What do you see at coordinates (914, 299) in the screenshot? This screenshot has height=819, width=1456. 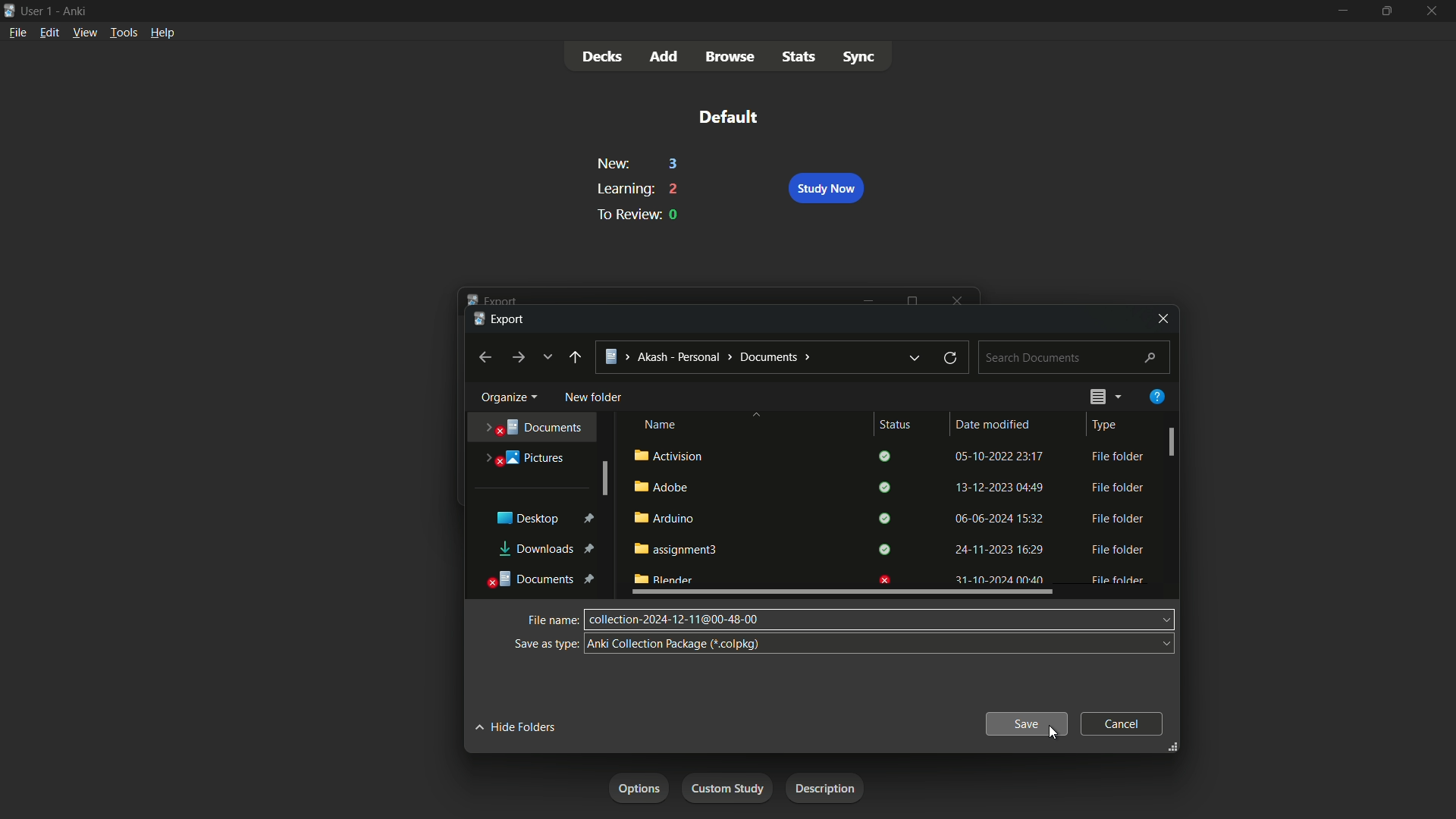 I see `maximize` at bounding box center [914, 299].